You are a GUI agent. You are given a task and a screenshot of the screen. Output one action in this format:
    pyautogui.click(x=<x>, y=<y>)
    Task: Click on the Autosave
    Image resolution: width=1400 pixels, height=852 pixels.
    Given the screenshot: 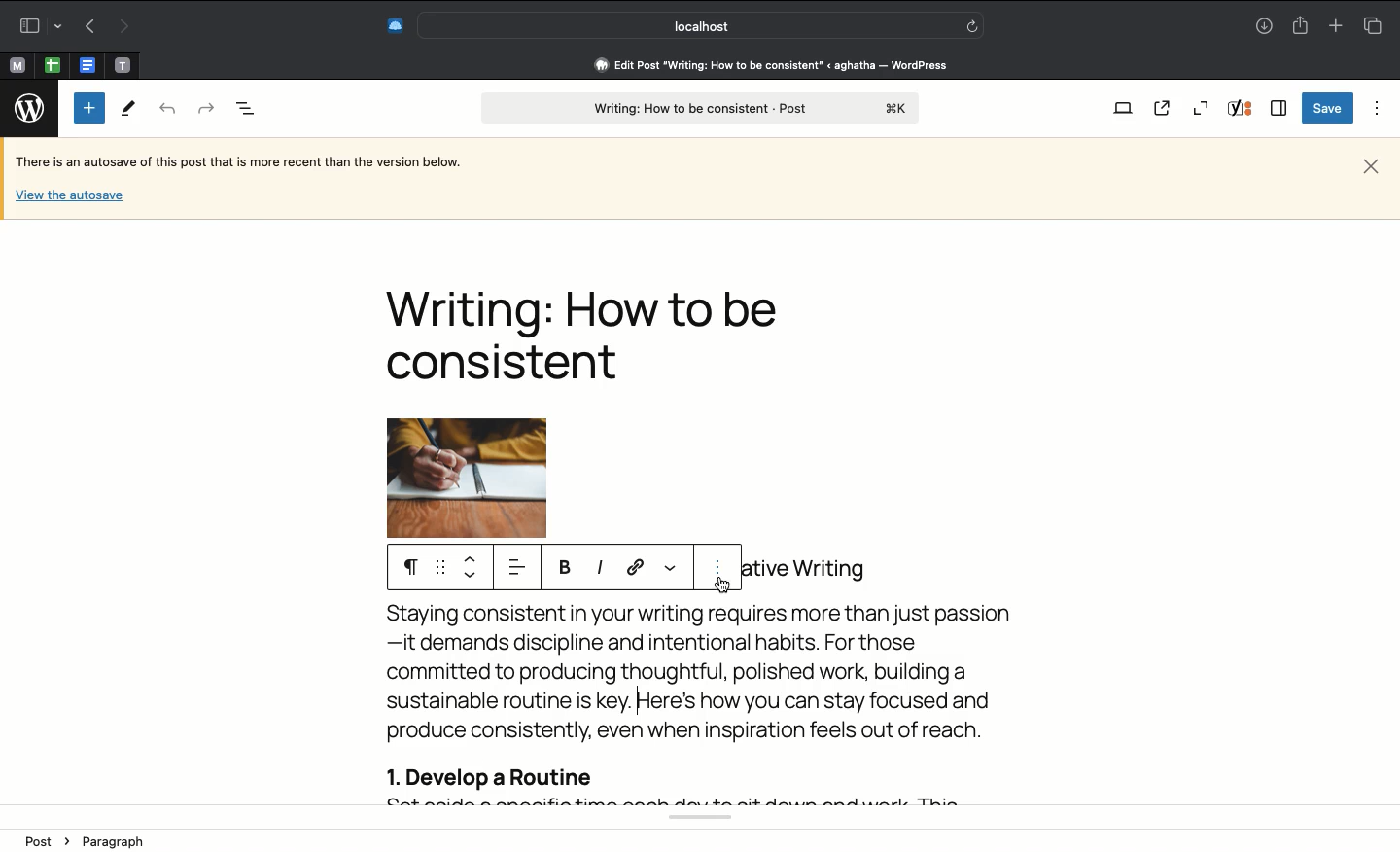 What is the action you would take?
    pyautogui.click(x=254, y=163)
    